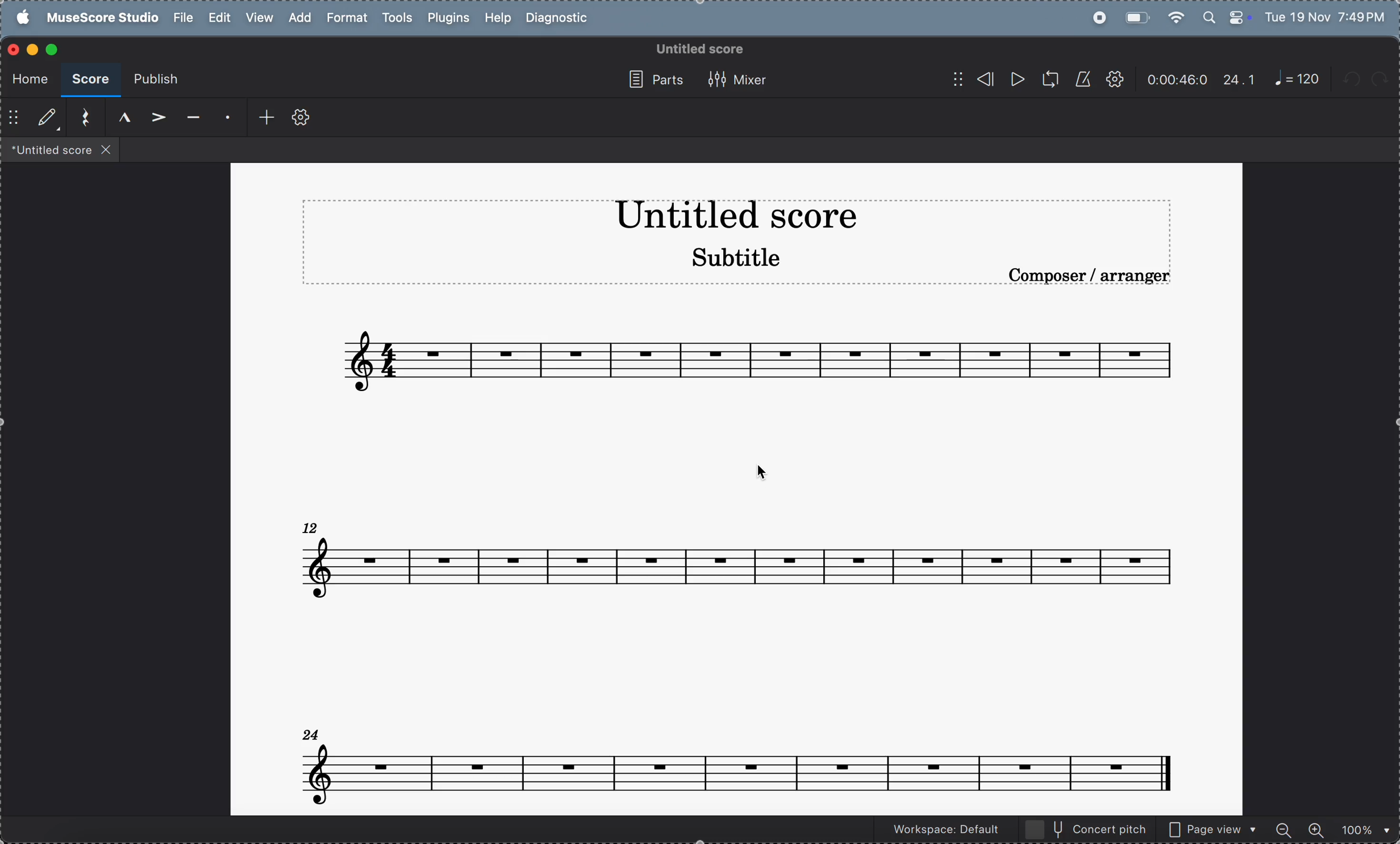  I want to click on settings, so click(1114, 80).